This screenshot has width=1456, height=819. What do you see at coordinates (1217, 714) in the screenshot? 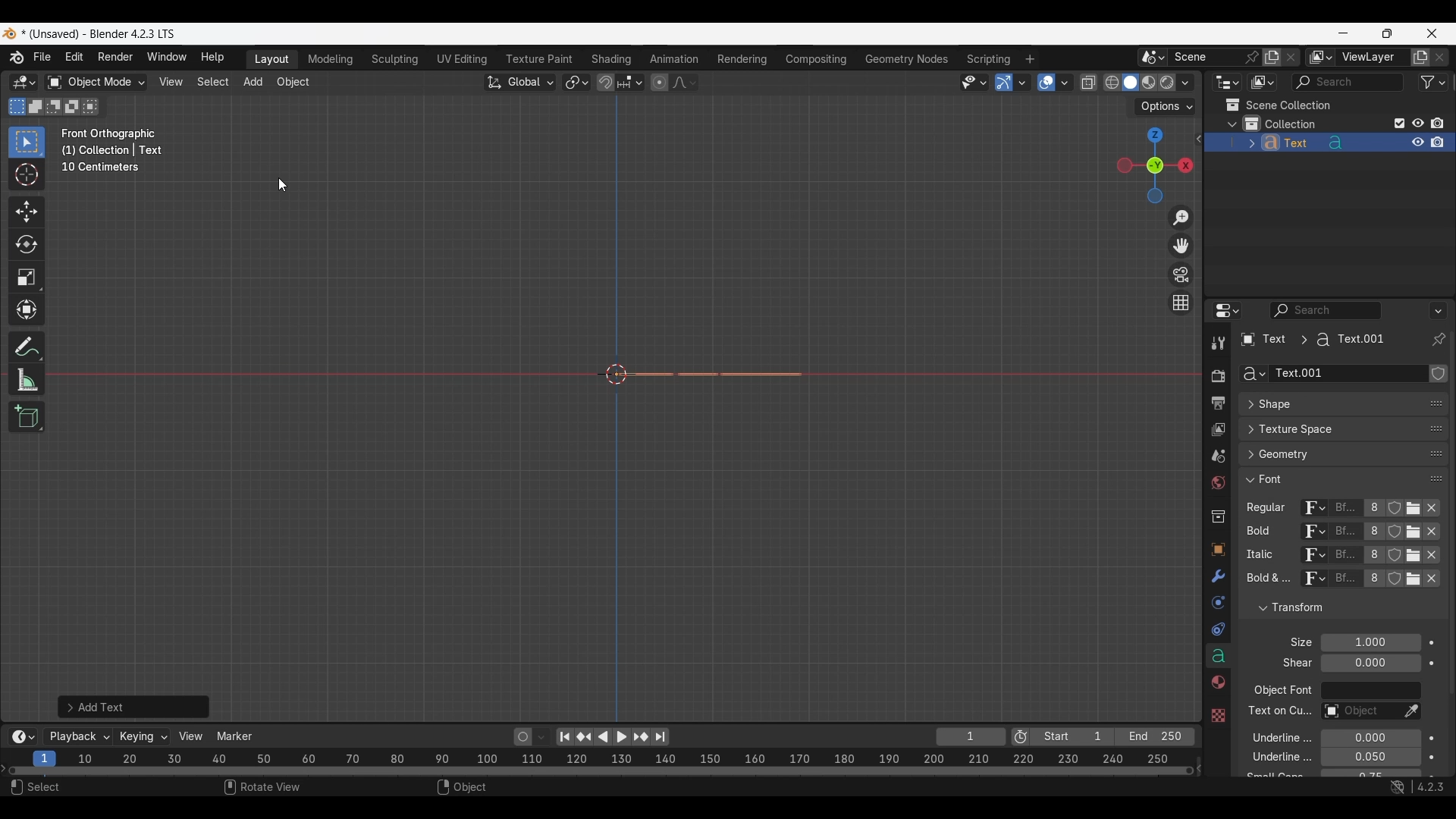
I see `` at bounding box center [1217, 714].